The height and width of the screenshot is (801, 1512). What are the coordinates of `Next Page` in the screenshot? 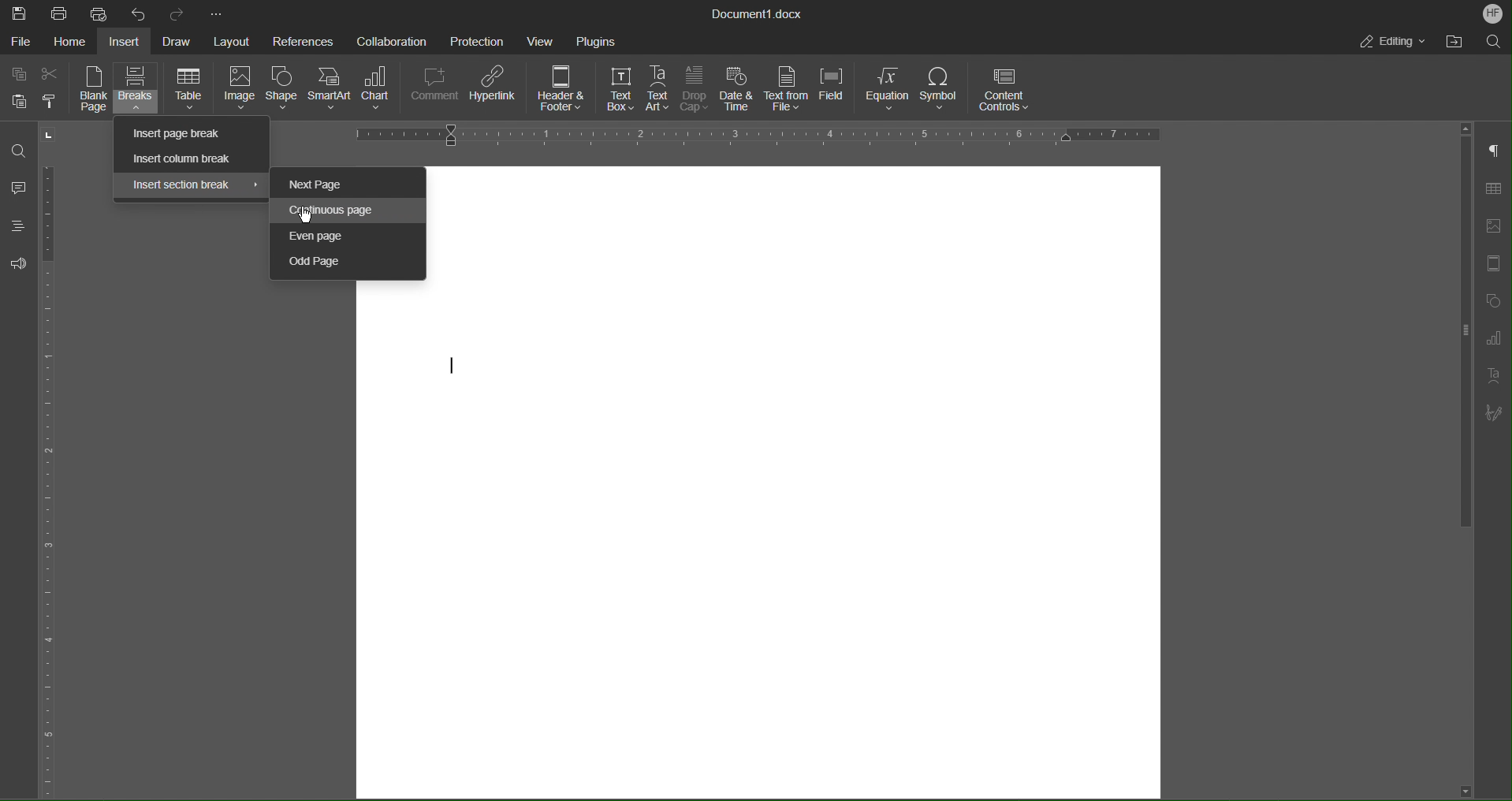 It's located at (318, 184).